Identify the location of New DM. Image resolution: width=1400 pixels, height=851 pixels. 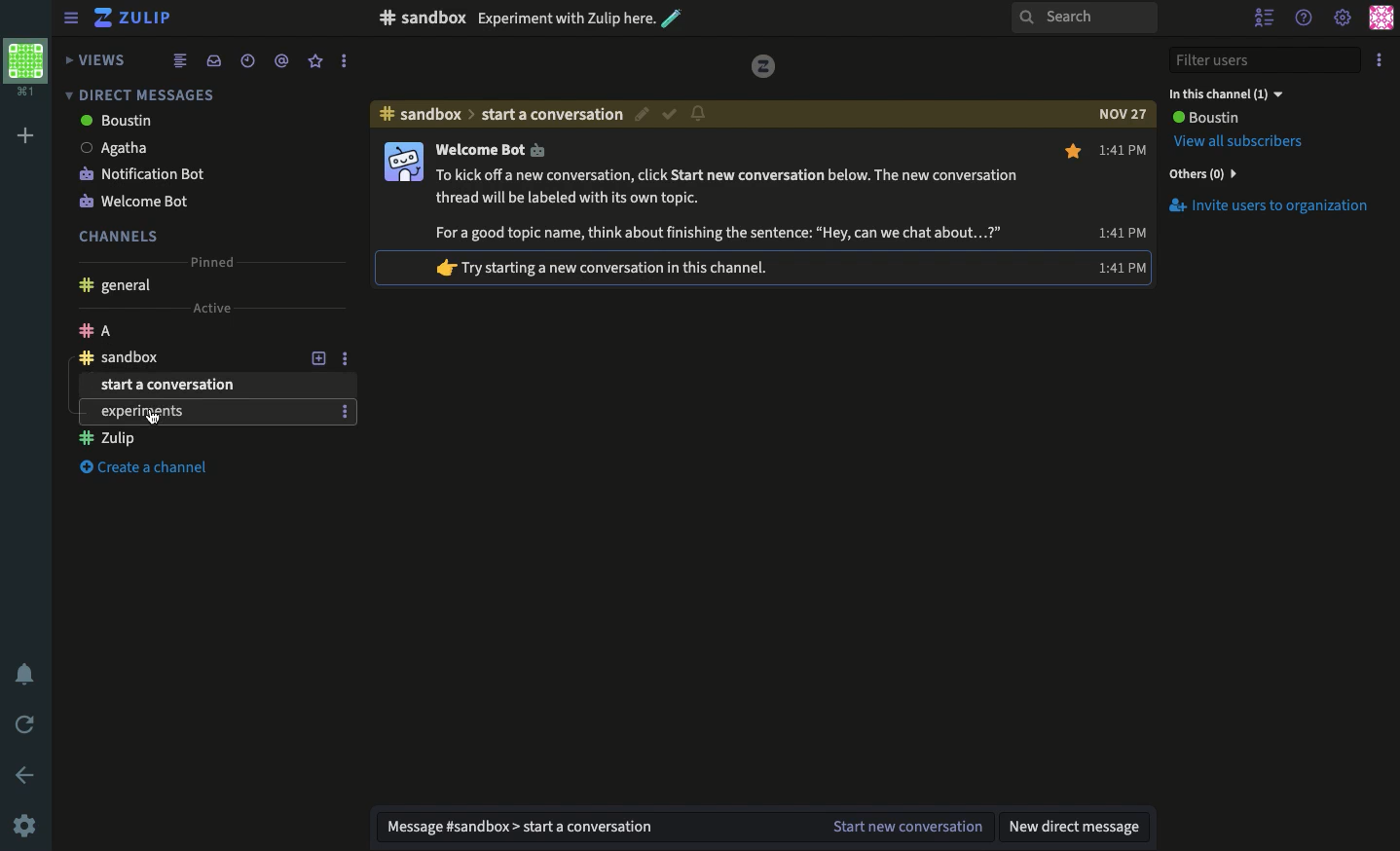
(1078, 826).